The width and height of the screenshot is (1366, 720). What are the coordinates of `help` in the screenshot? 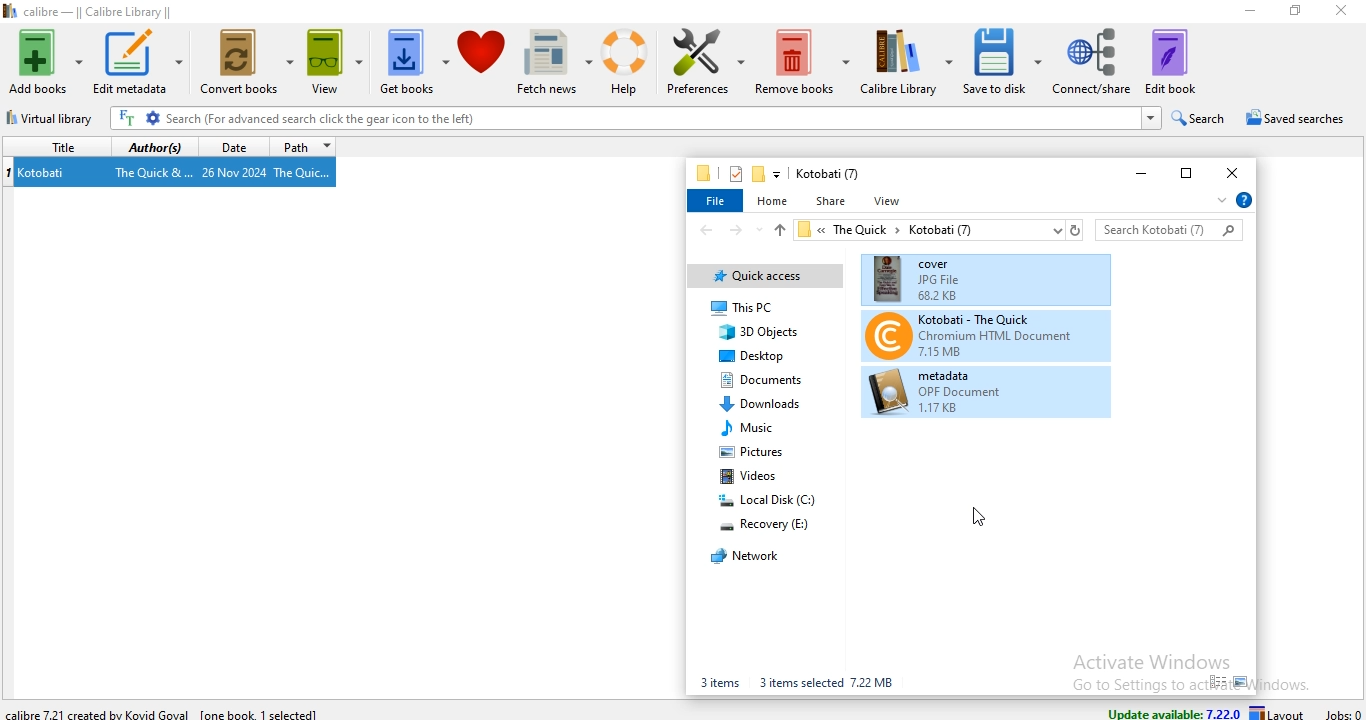 It's located at (624, 61).